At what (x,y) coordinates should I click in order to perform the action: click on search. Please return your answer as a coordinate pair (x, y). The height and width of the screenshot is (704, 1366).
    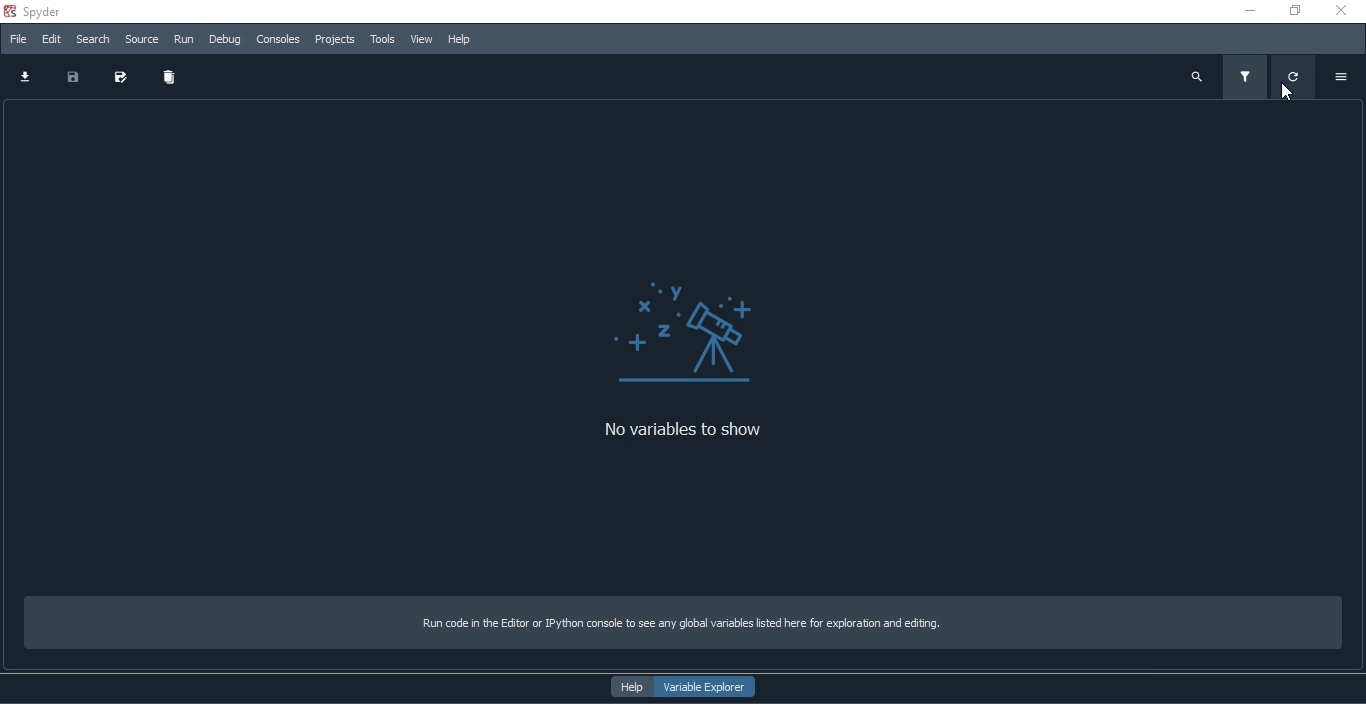
    Looking at the image, I should click on (1198, 76).